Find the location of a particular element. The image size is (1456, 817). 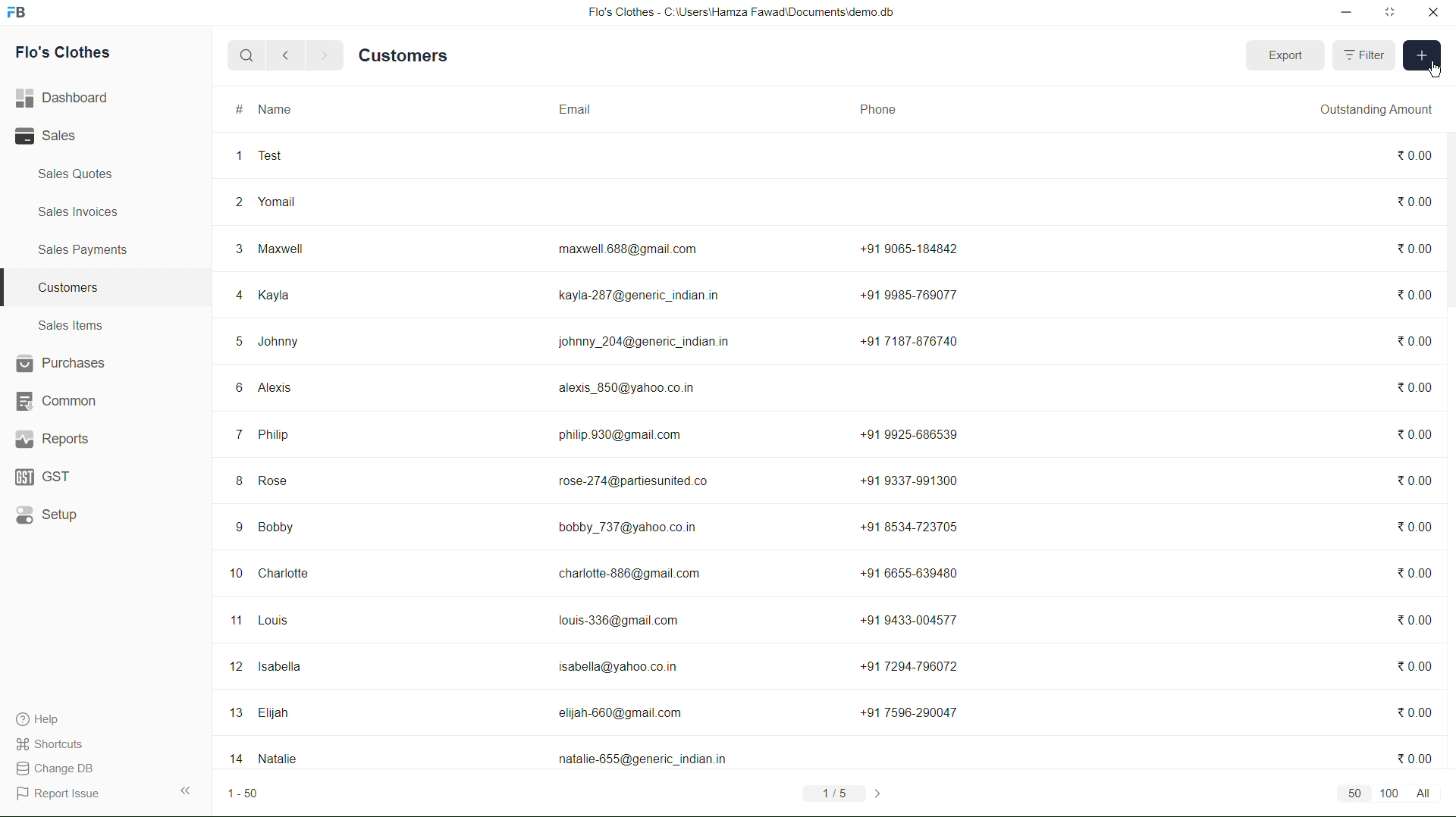

8 is located at coordinates (238, 480).